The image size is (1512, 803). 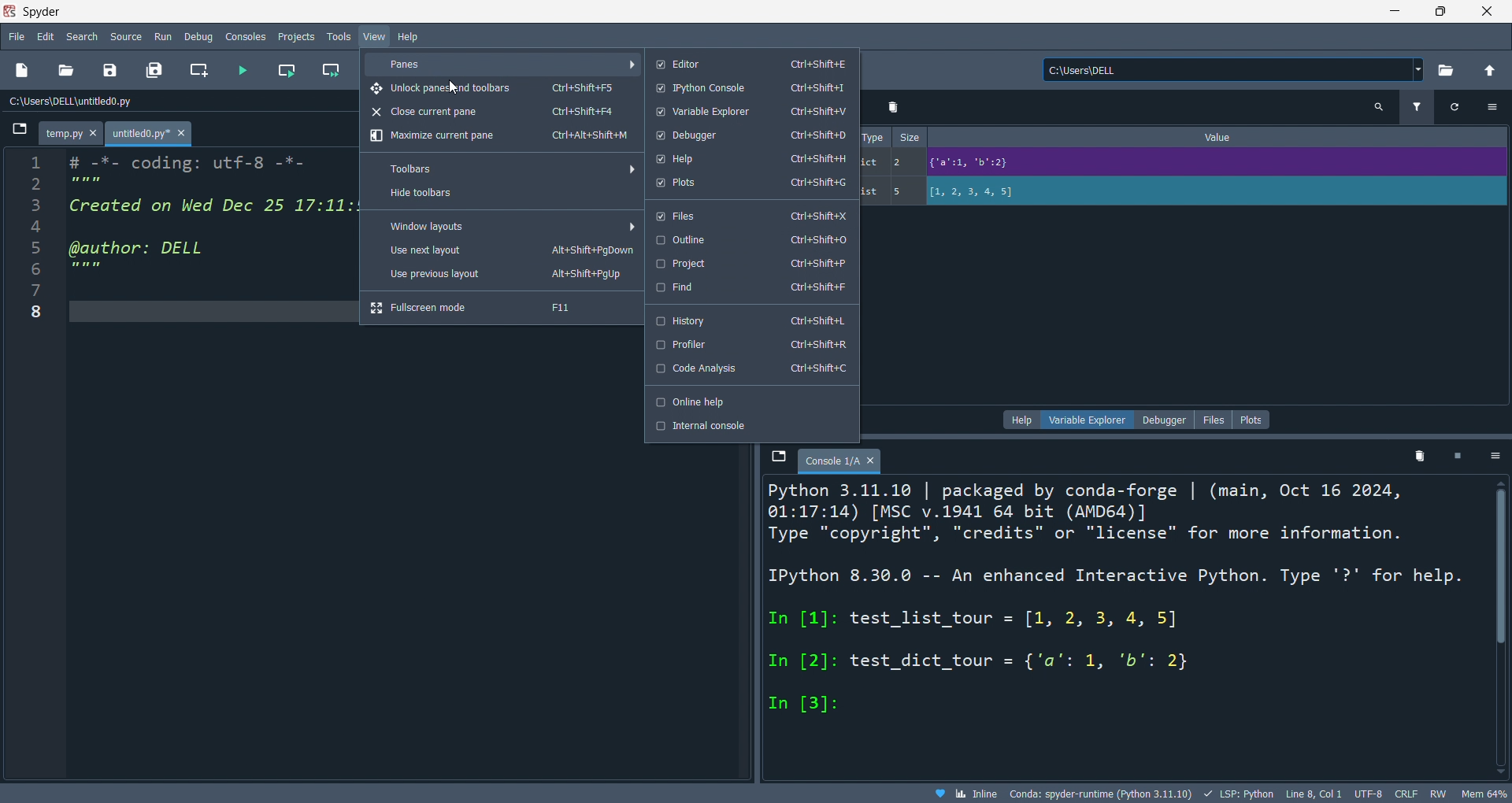 What do you see at coordinates (154, 71) in the screenshot?
I see `save all` at bounding box center [154, 71].